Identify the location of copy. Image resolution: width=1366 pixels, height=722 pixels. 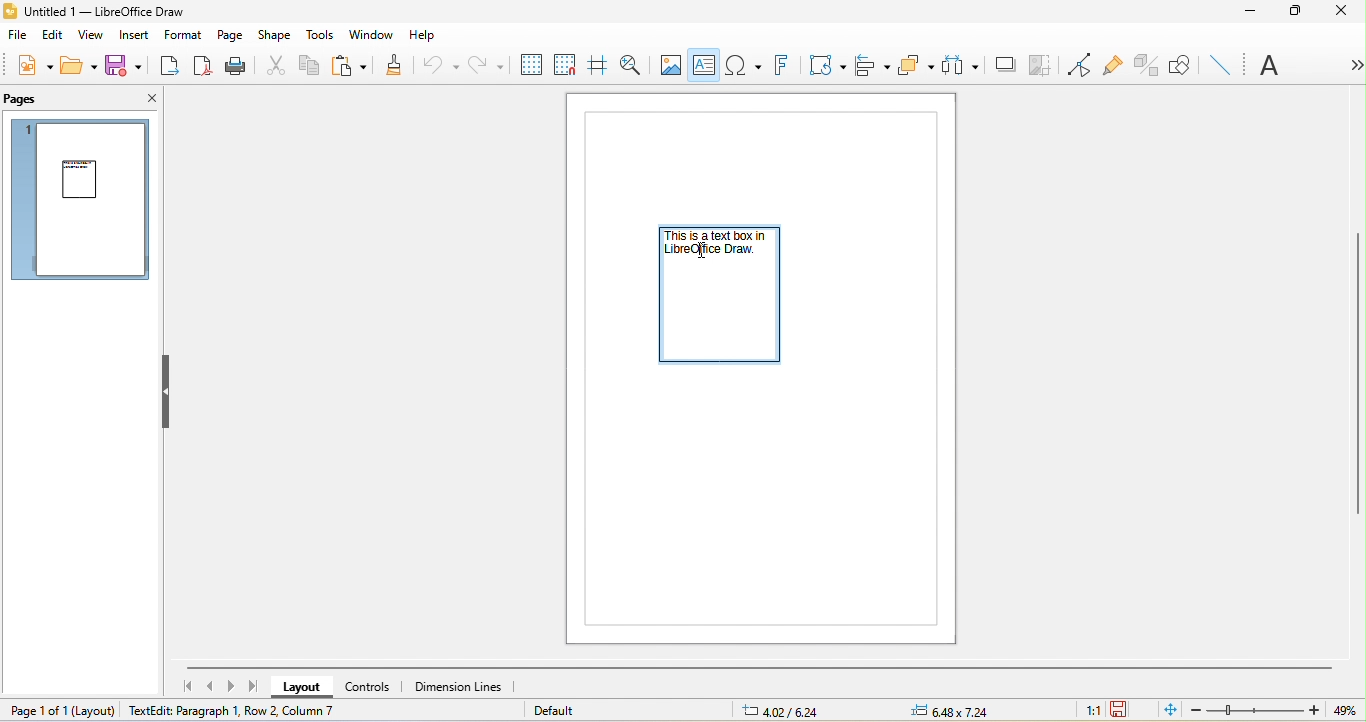
(312, 68).